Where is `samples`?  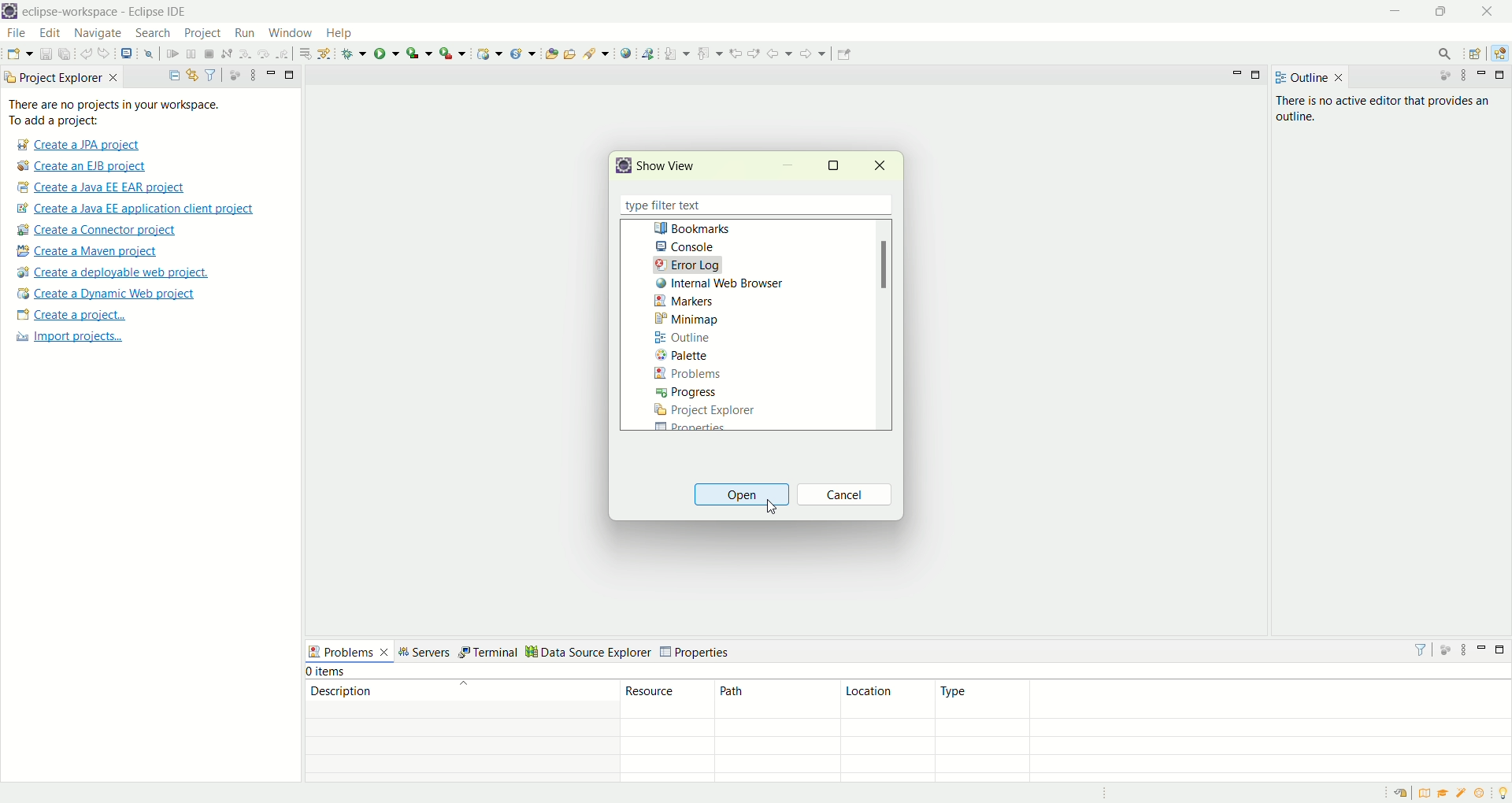 samples is located at coordinates (1461, 794).